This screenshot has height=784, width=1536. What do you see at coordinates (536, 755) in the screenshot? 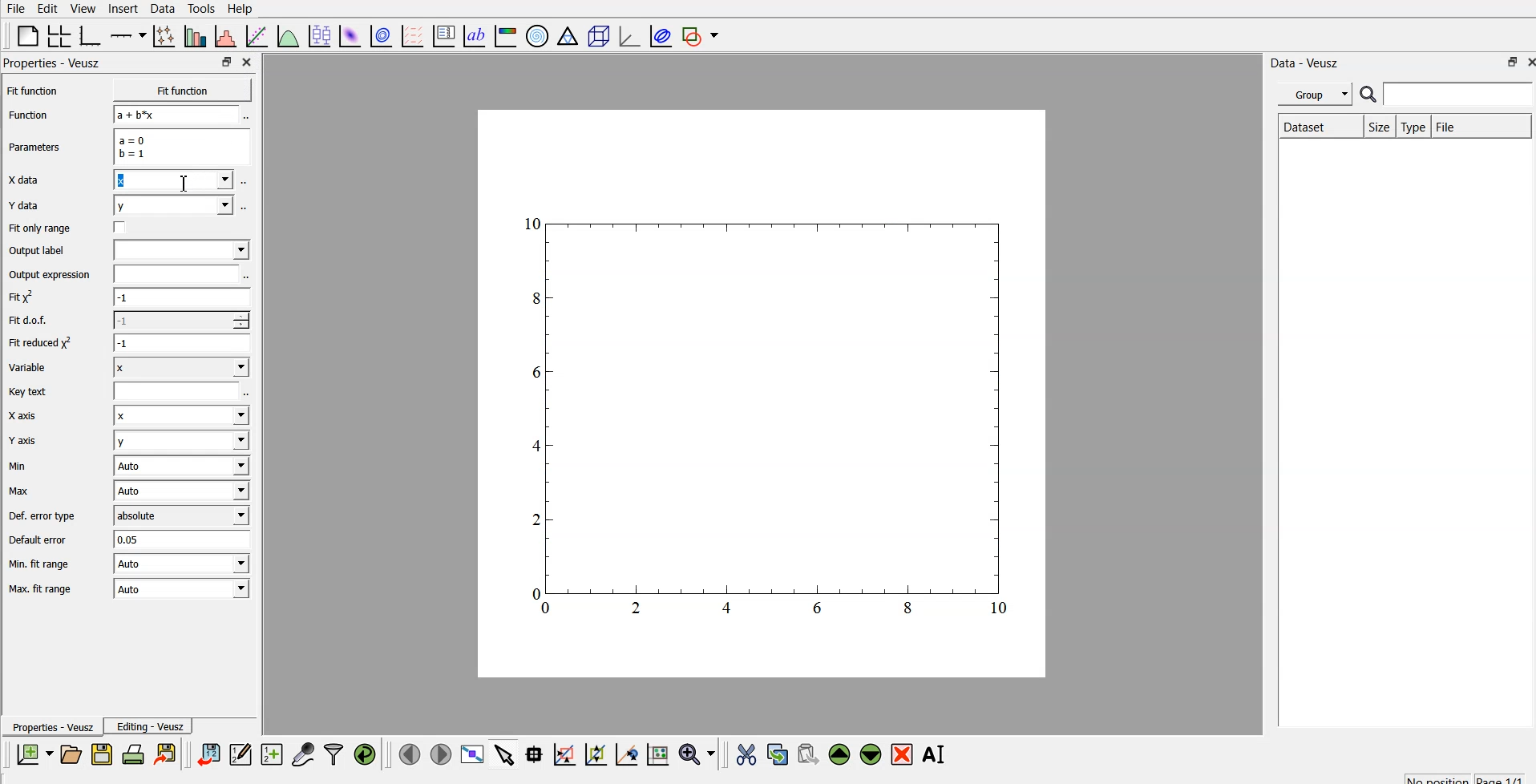
I see `read data points on the graph` at bounding box center [536, 755].